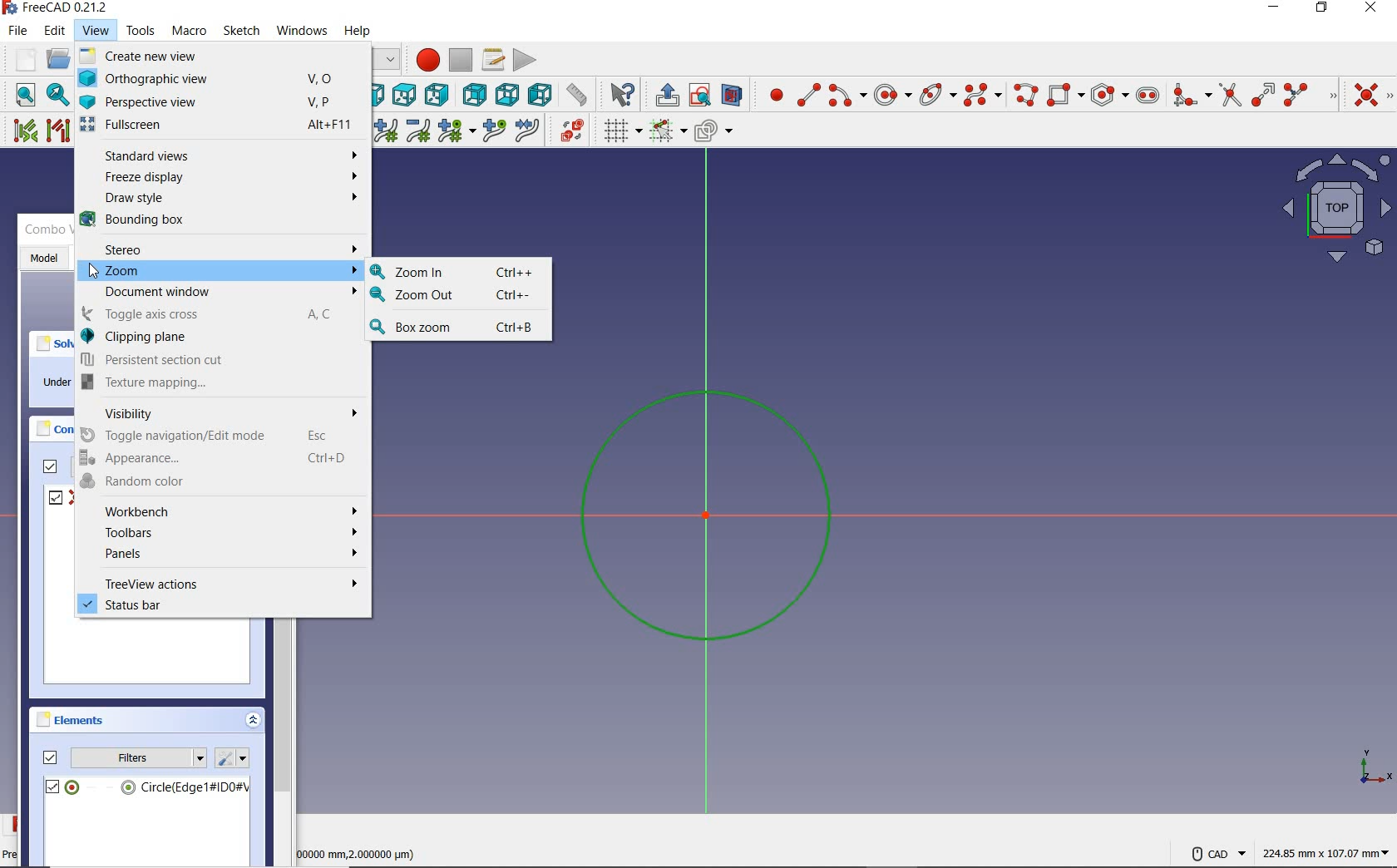 The image size is (1397, 868). Describe the element at coordinates (234, 157) in the screenshot. I see `Standard views` at that location.